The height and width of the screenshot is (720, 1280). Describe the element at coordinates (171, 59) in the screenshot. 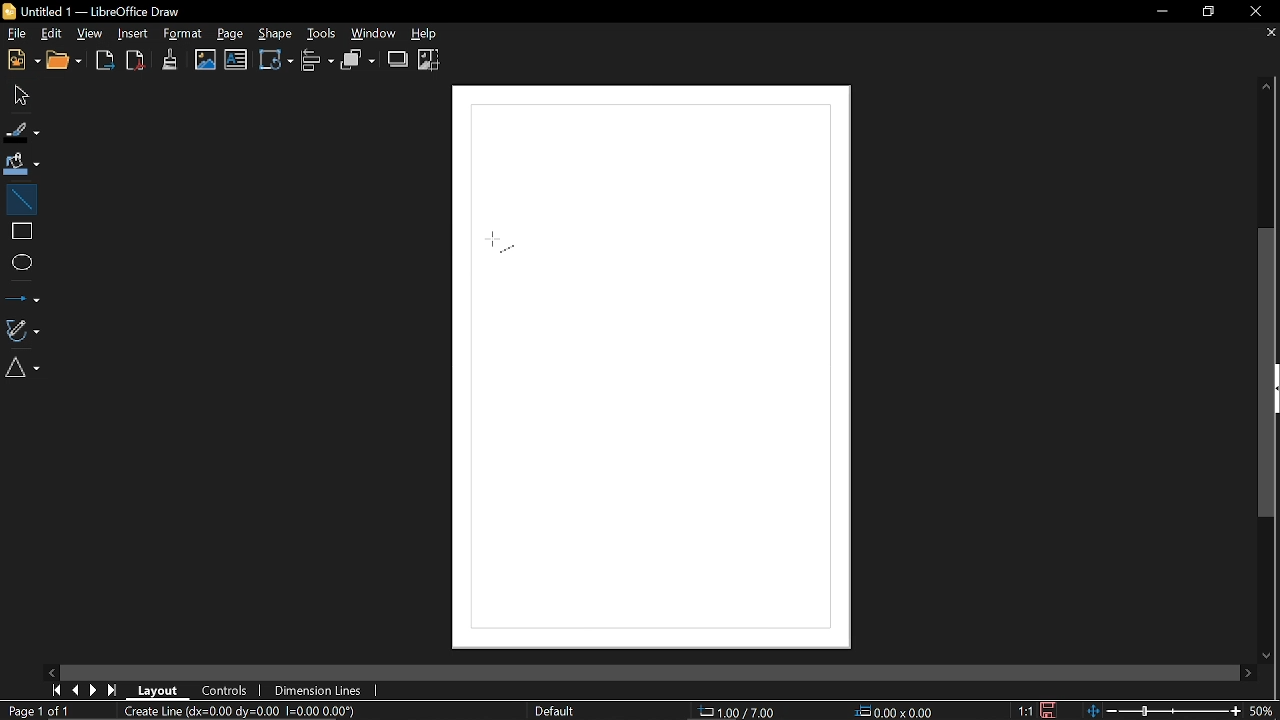

I see `Clone` at that location.